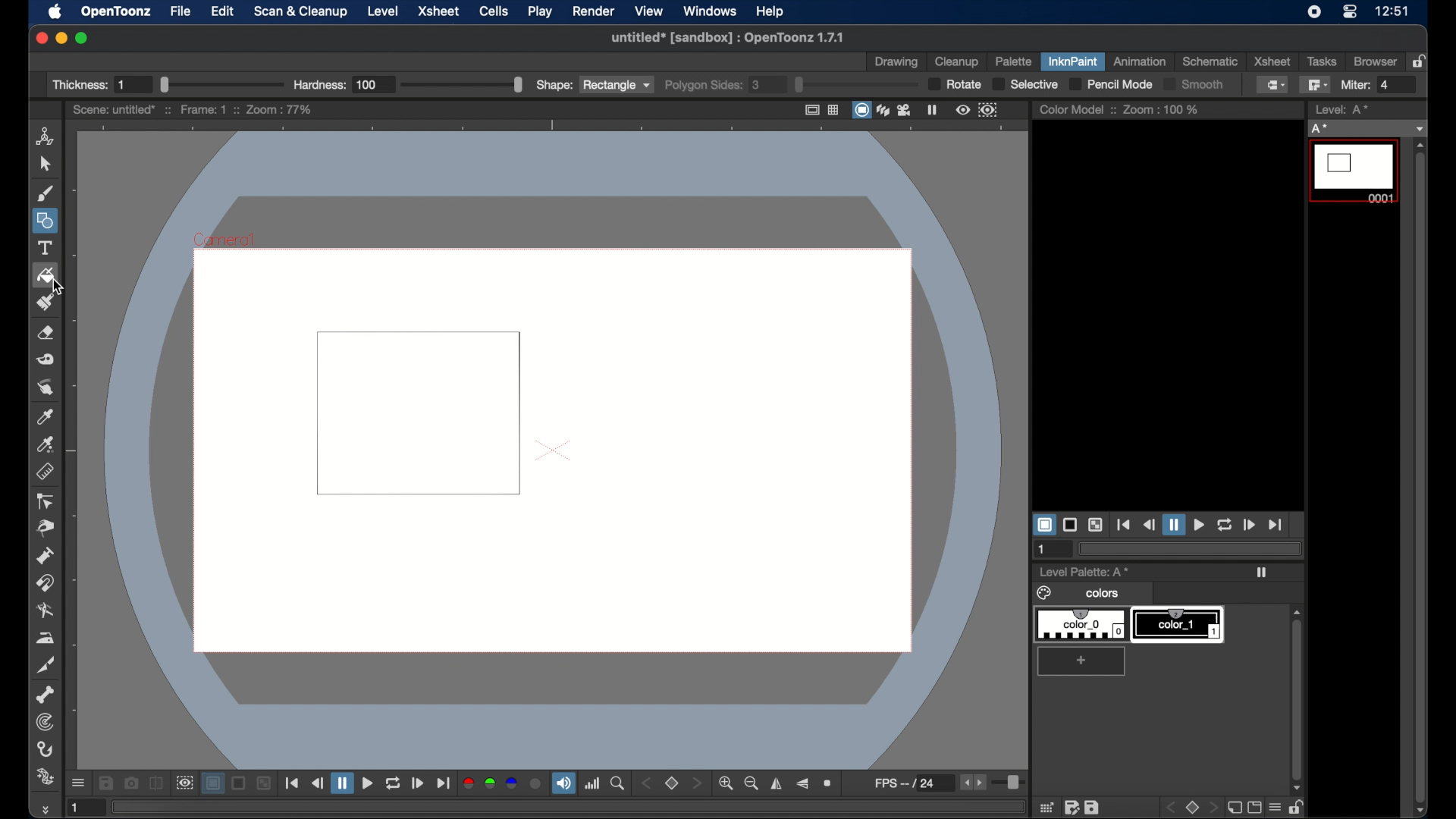 The image size is (1456, 819). Describe the element at coordinates (1043, 525) in the screenshot. I see `white background` at that location.